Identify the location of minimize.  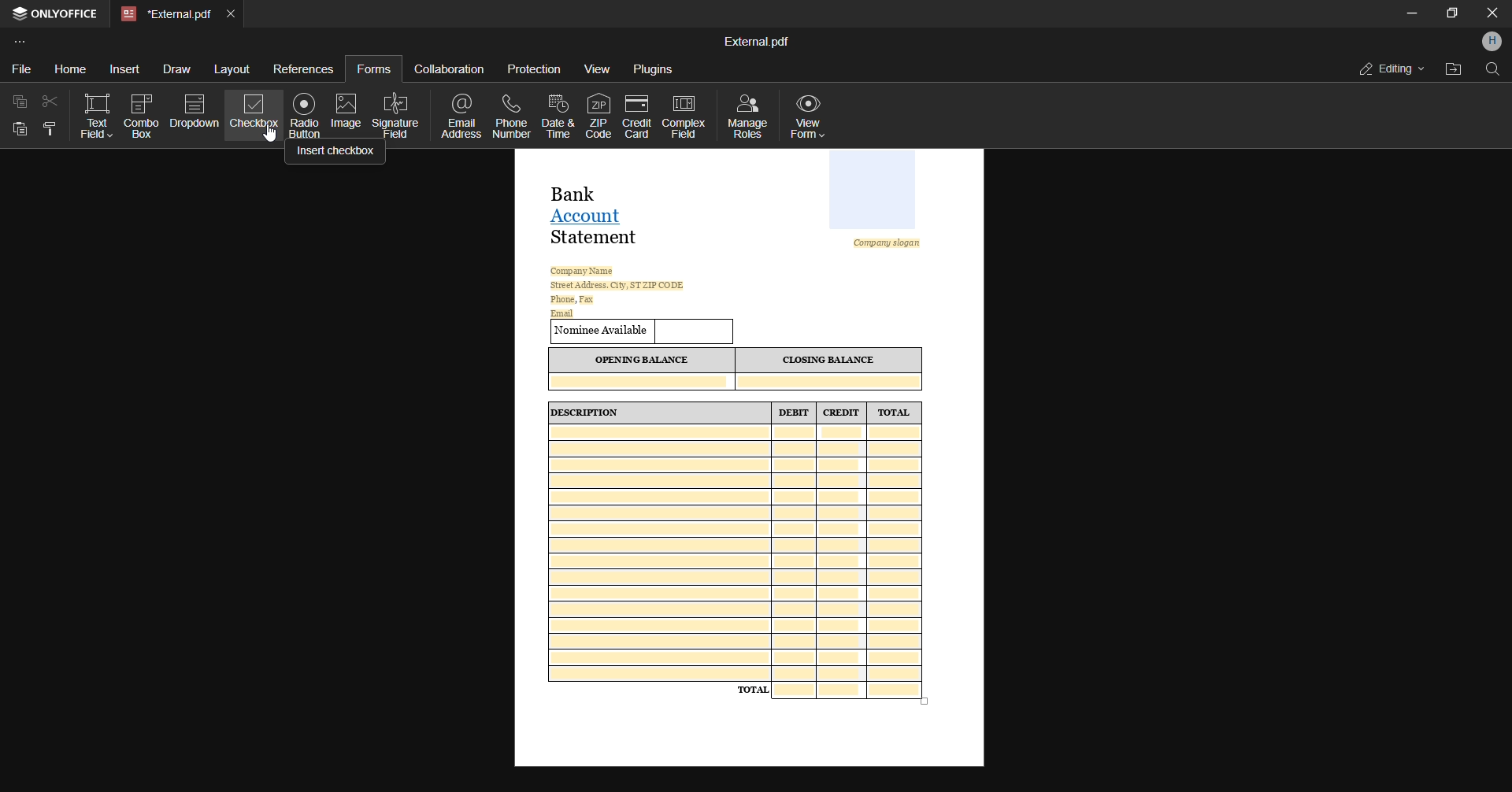
(1408, 13).